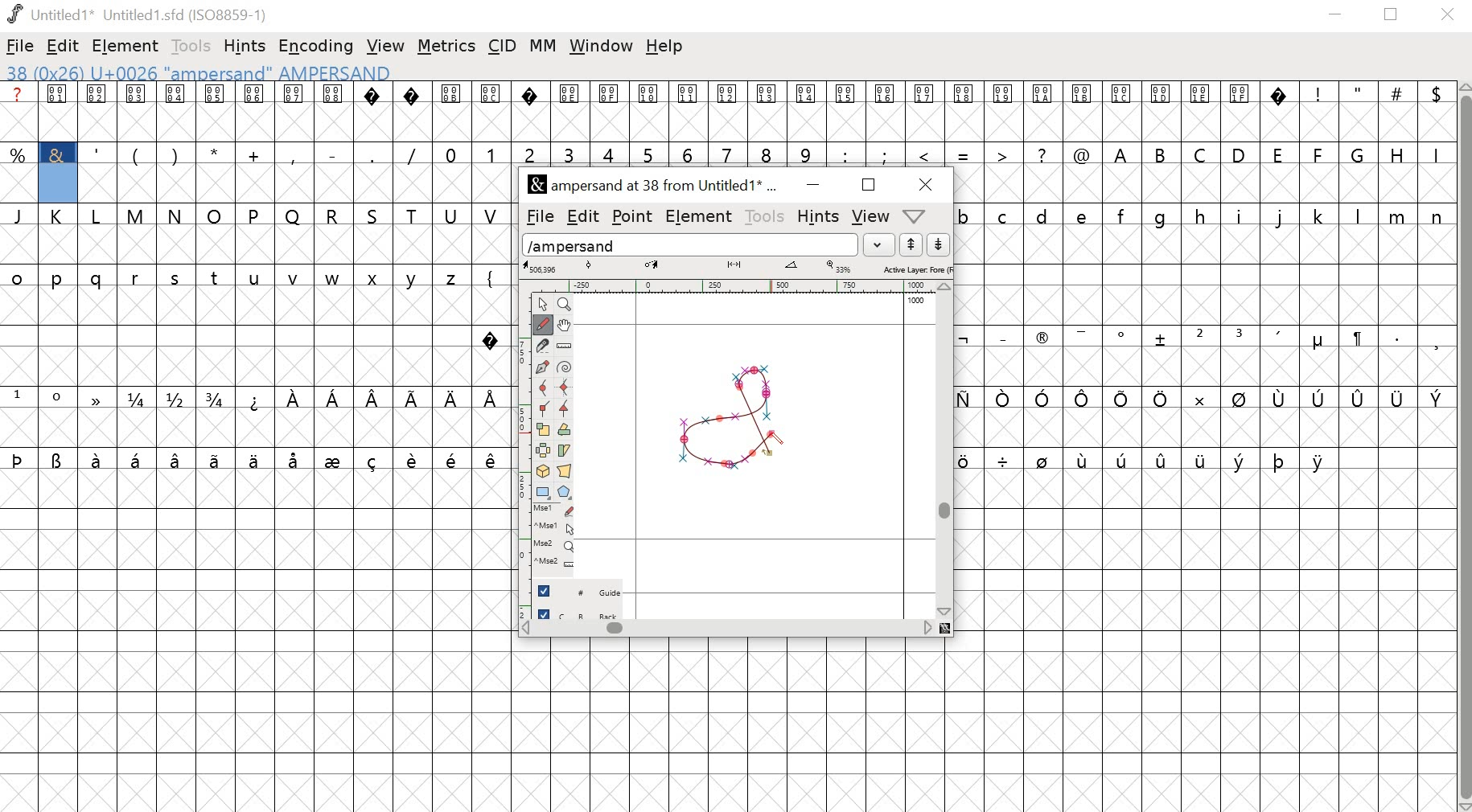 Image resolution: width=1472 pixels, height=812 pixels. I want to click on {, so click(491, 276).